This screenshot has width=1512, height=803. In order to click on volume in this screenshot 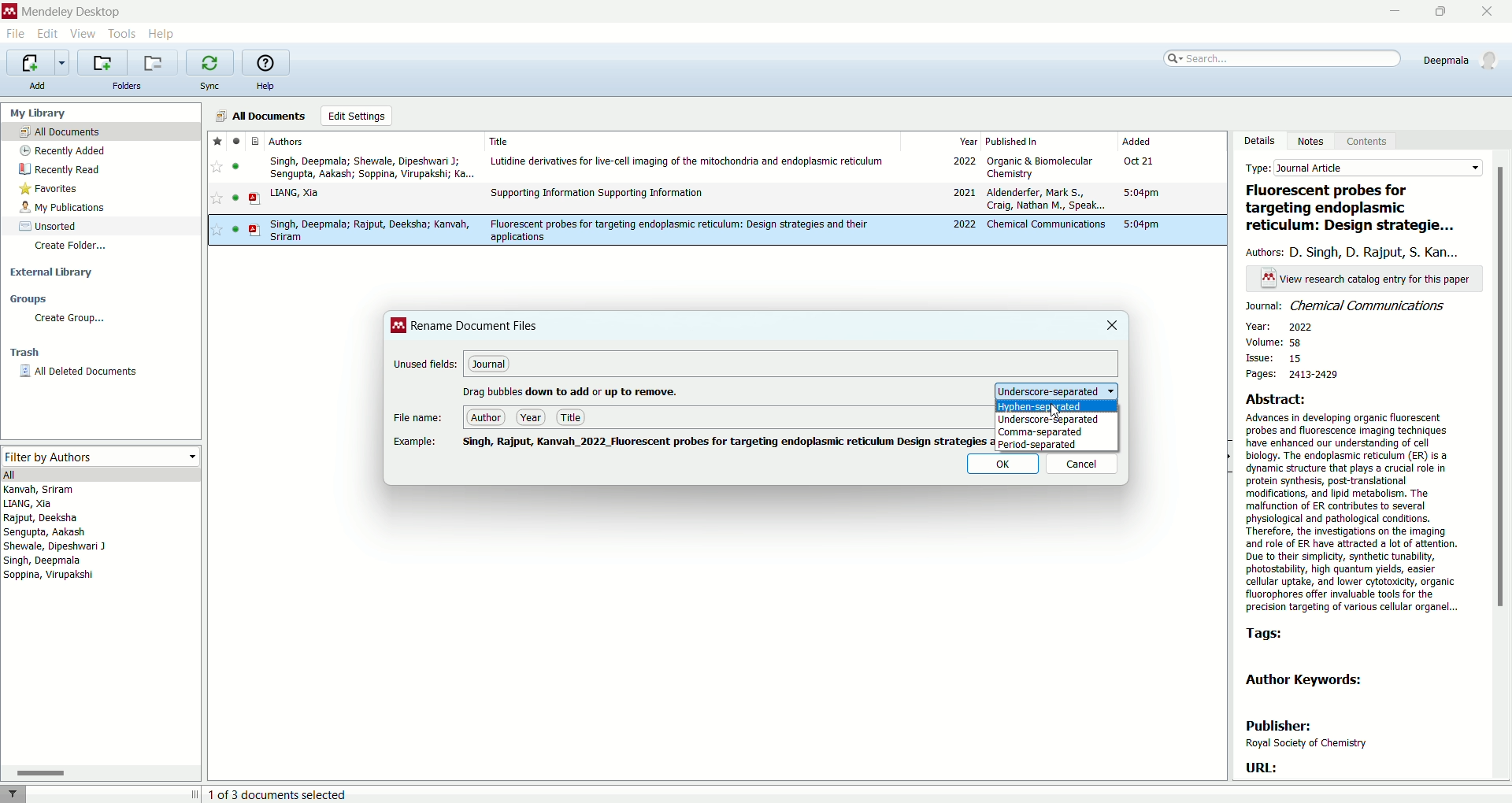, I will do `click(1286, 342)`.